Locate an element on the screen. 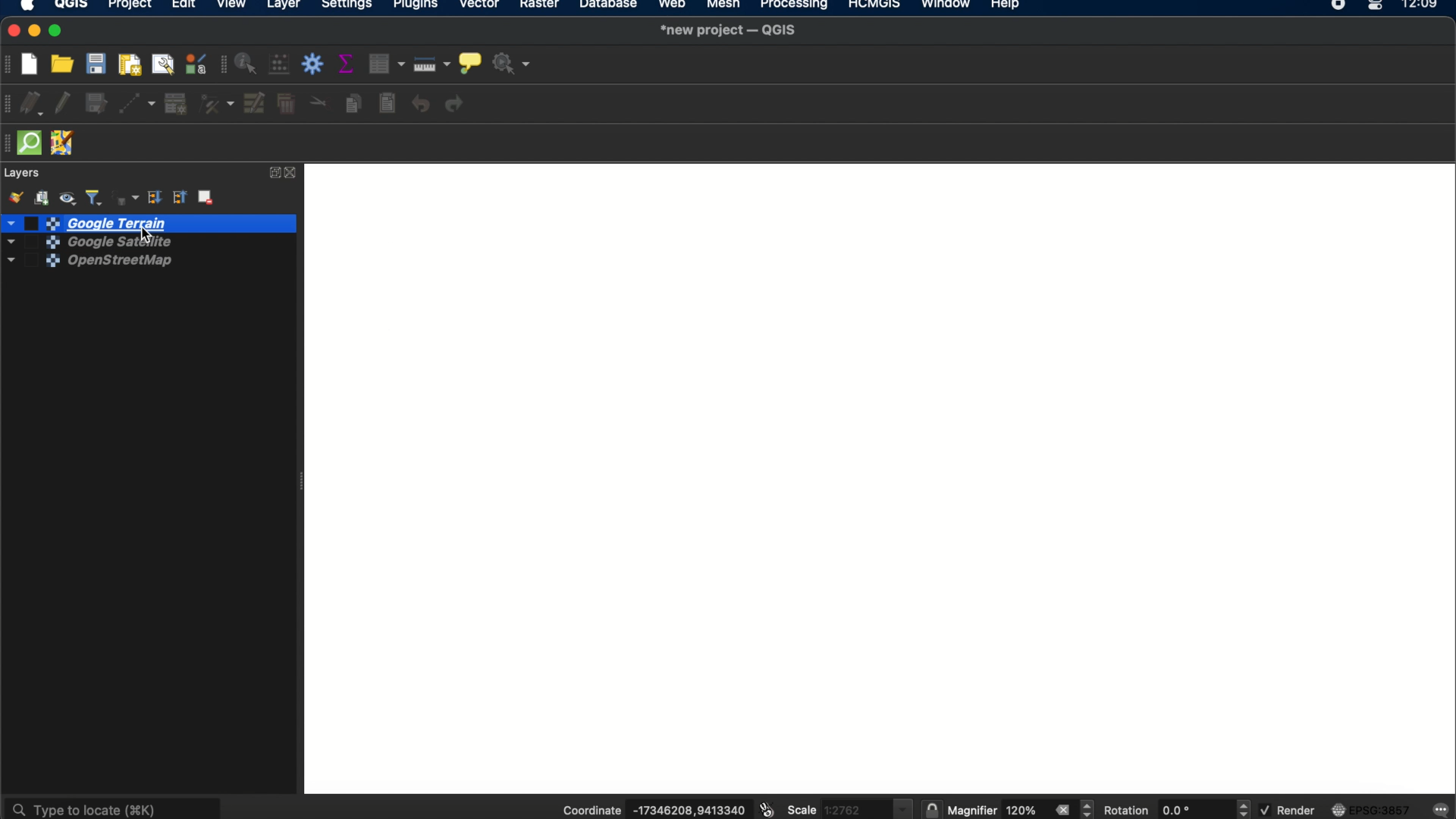 The image size is (1456, 819). toolbox is located at coordinates (315, 64).